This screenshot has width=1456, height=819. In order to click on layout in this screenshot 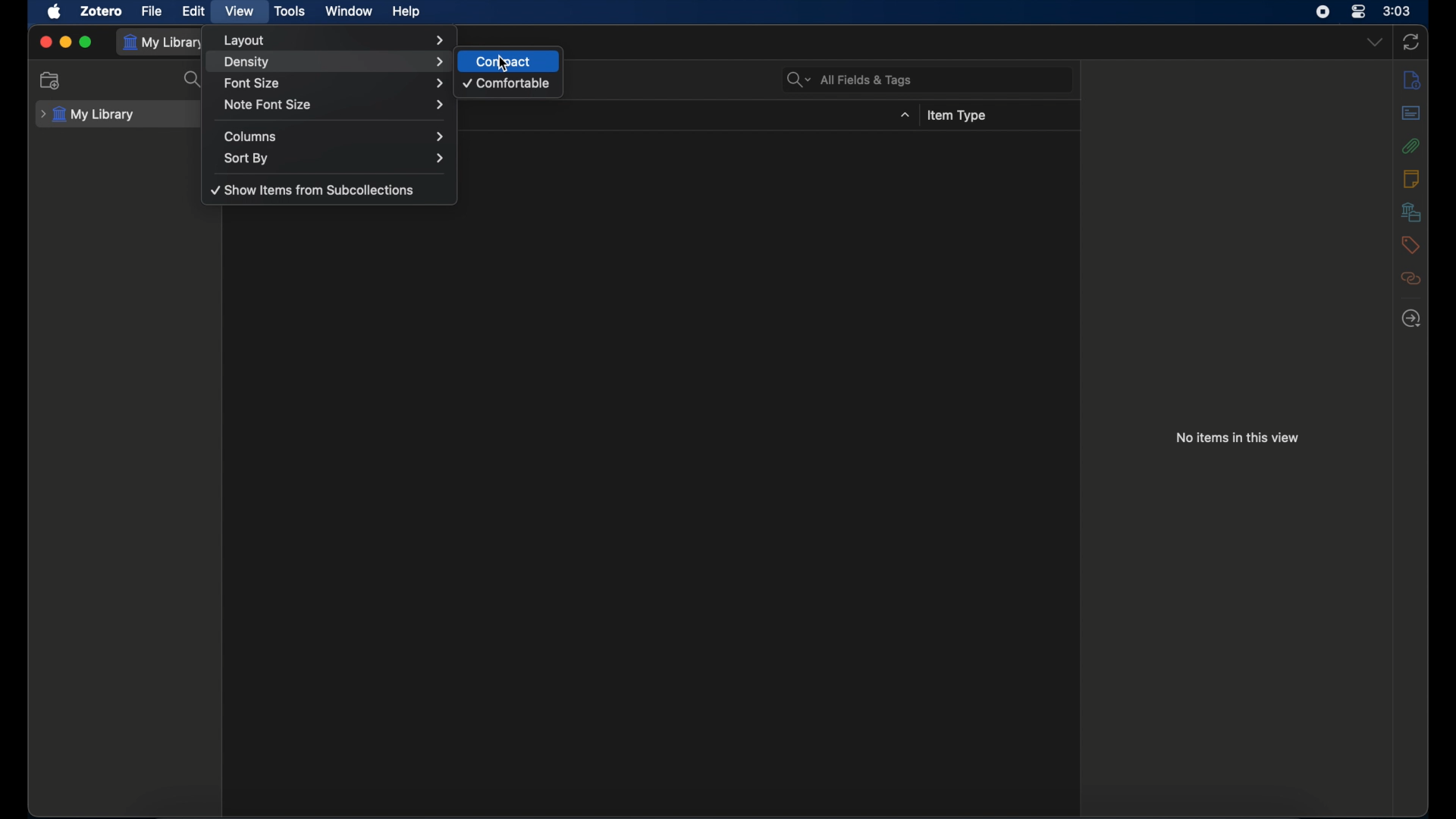, I will do `click(335, 40)`.